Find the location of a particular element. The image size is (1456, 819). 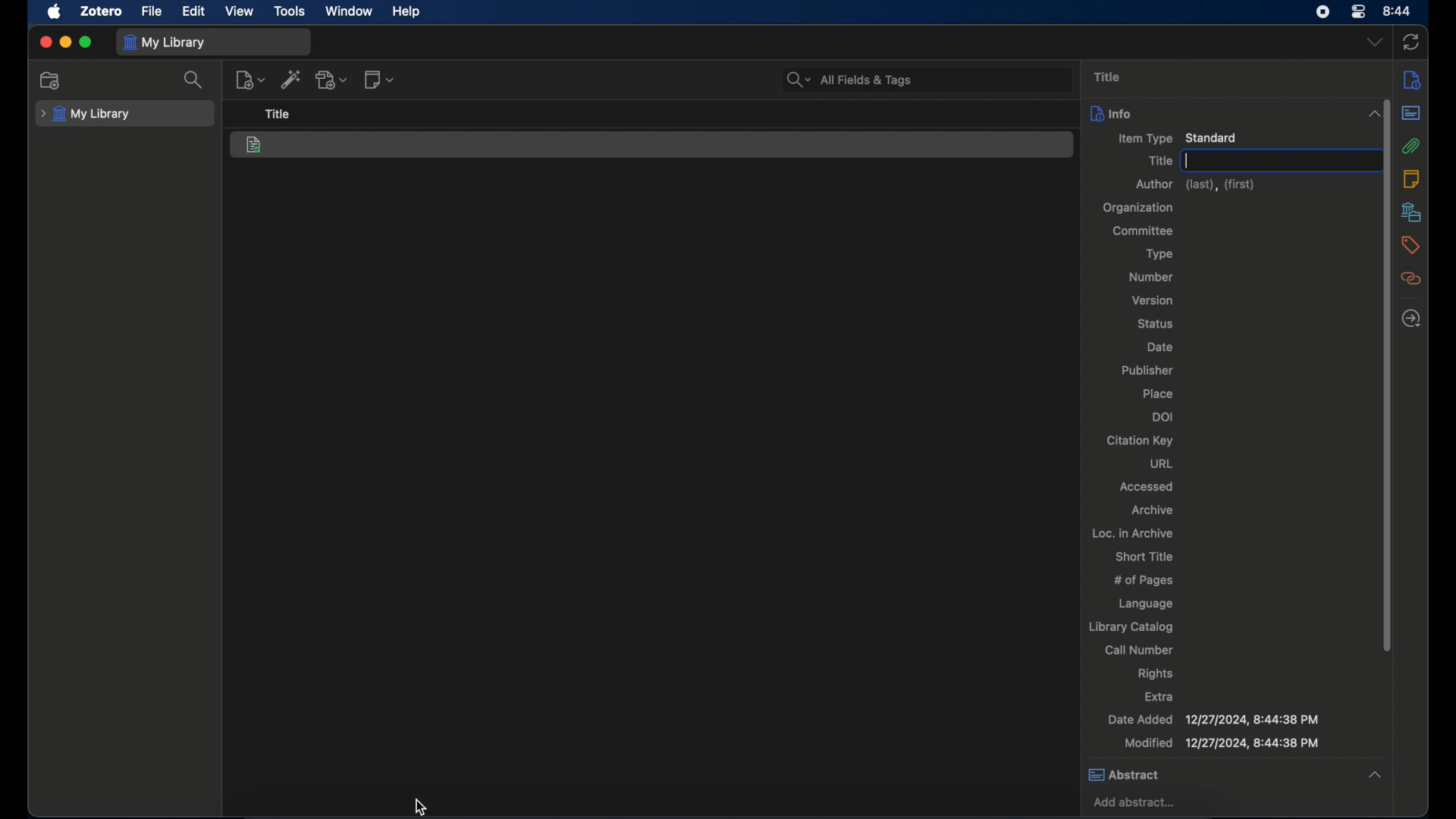

library catalog is located at coordinates (1131, 628).